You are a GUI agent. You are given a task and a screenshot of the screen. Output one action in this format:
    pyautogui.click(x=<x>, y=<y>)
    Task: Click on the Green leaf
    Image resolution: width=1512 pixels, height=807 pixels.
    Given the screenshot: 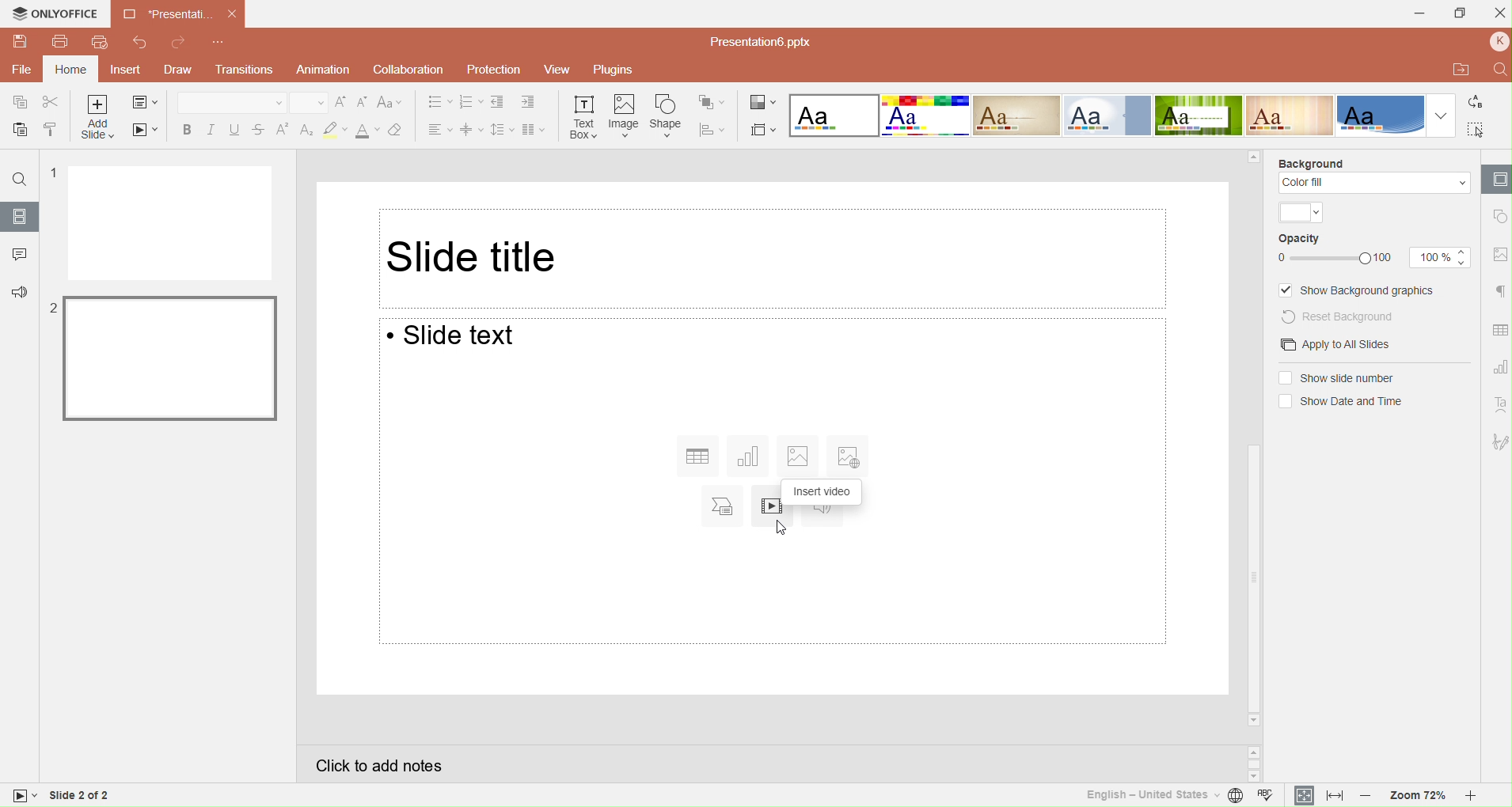 What is the action you would take?
    pyautogui.click(x=1199, y=116)
    